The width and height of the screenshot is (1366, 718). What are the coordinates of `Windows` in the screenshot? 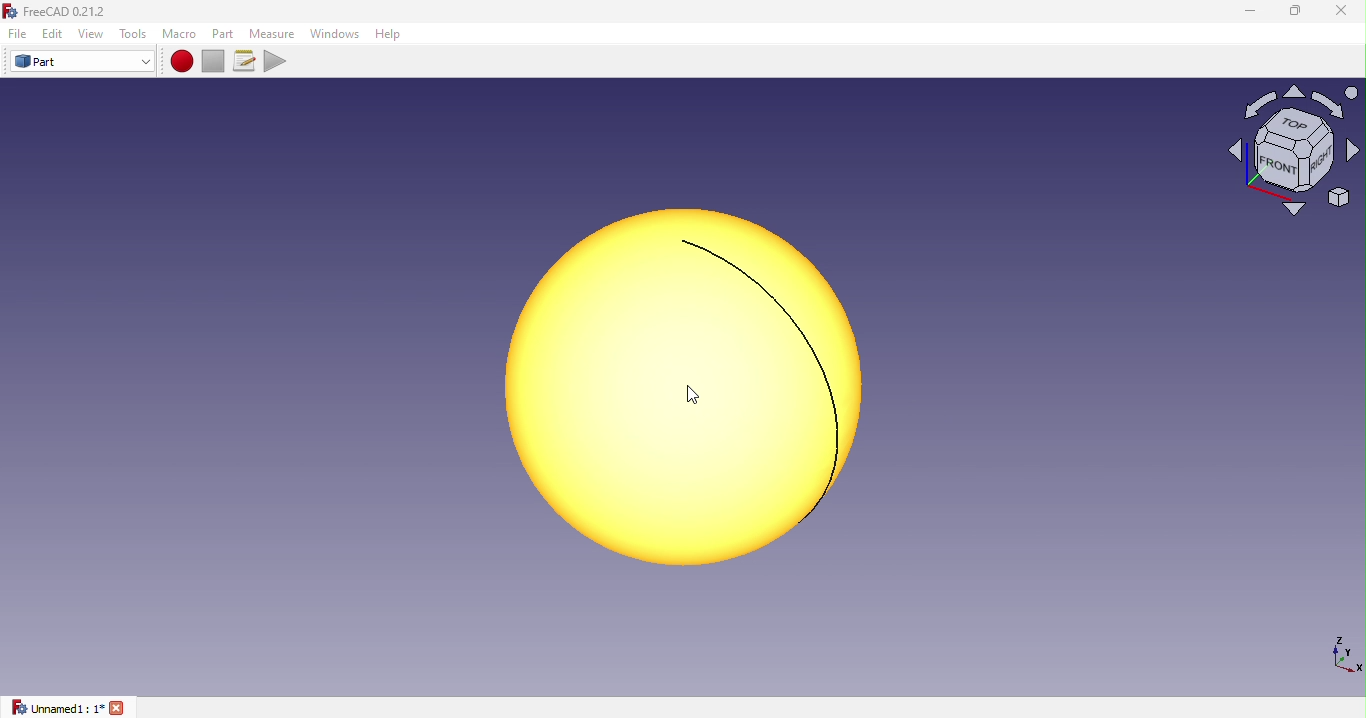 It's located at (334, 34).